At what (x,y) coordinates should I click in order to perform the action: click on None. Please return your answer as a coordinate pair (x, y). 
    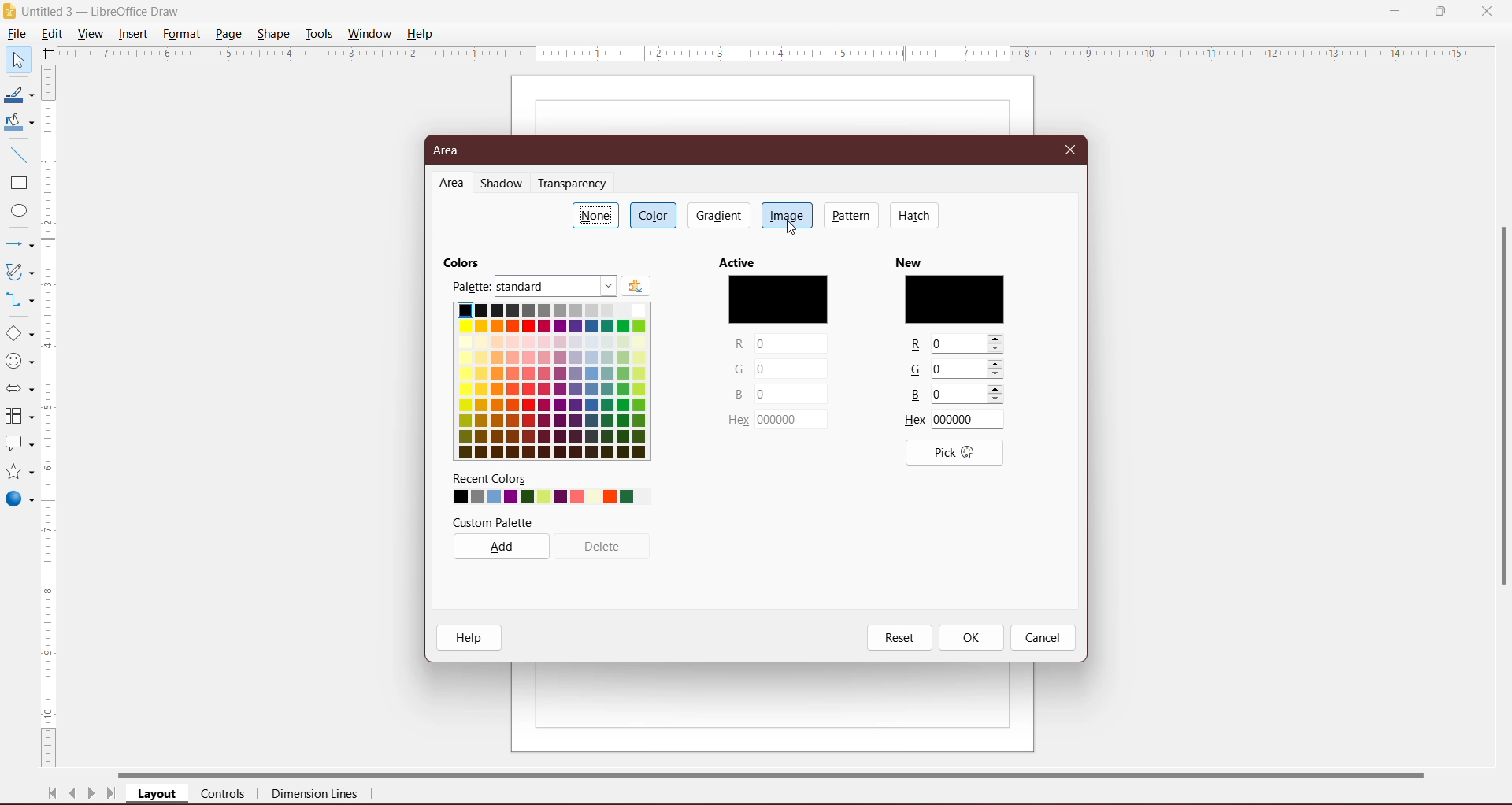
    Looking at the image, I should click on (596, 215).